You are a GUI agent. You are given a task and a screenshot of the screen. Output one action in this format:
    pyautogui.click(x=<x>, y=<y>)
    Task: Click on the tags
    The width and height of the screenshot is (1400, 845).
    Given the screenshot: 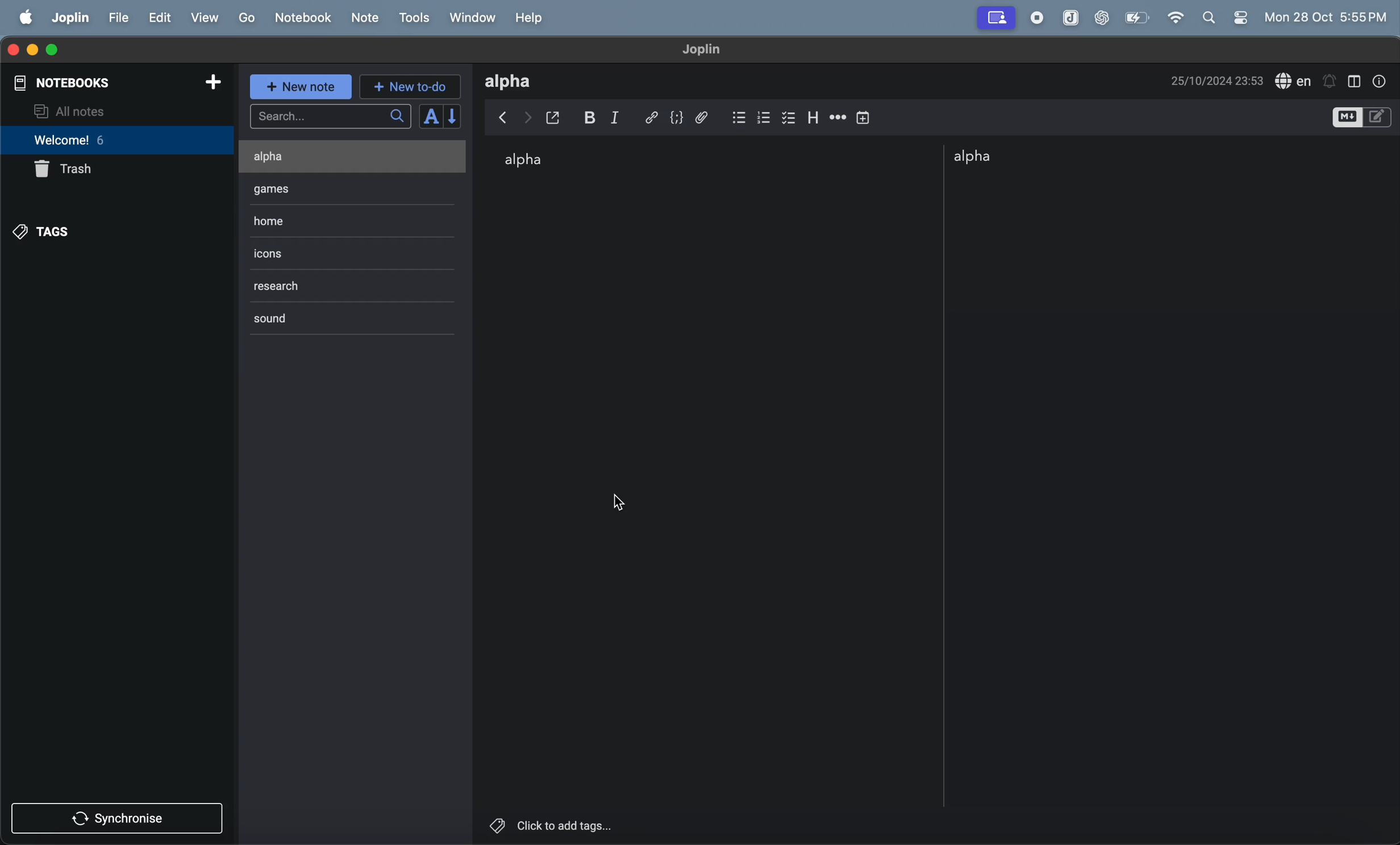 What is the action you would take?
    pyautogui.click(x=45, y=232)
    